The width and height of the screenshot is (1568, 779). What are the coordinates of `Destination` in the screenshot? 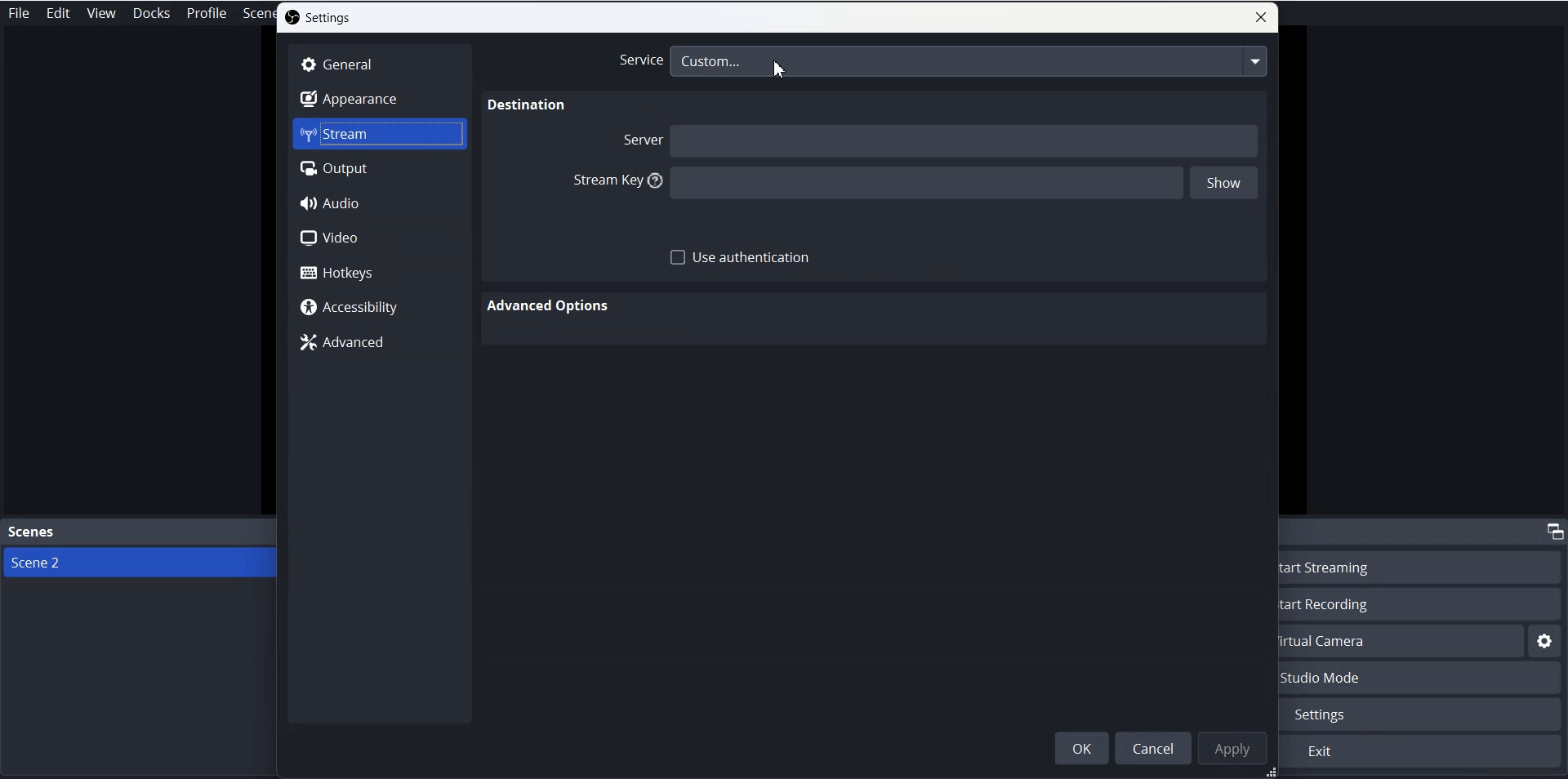 It's located at (523, 106).